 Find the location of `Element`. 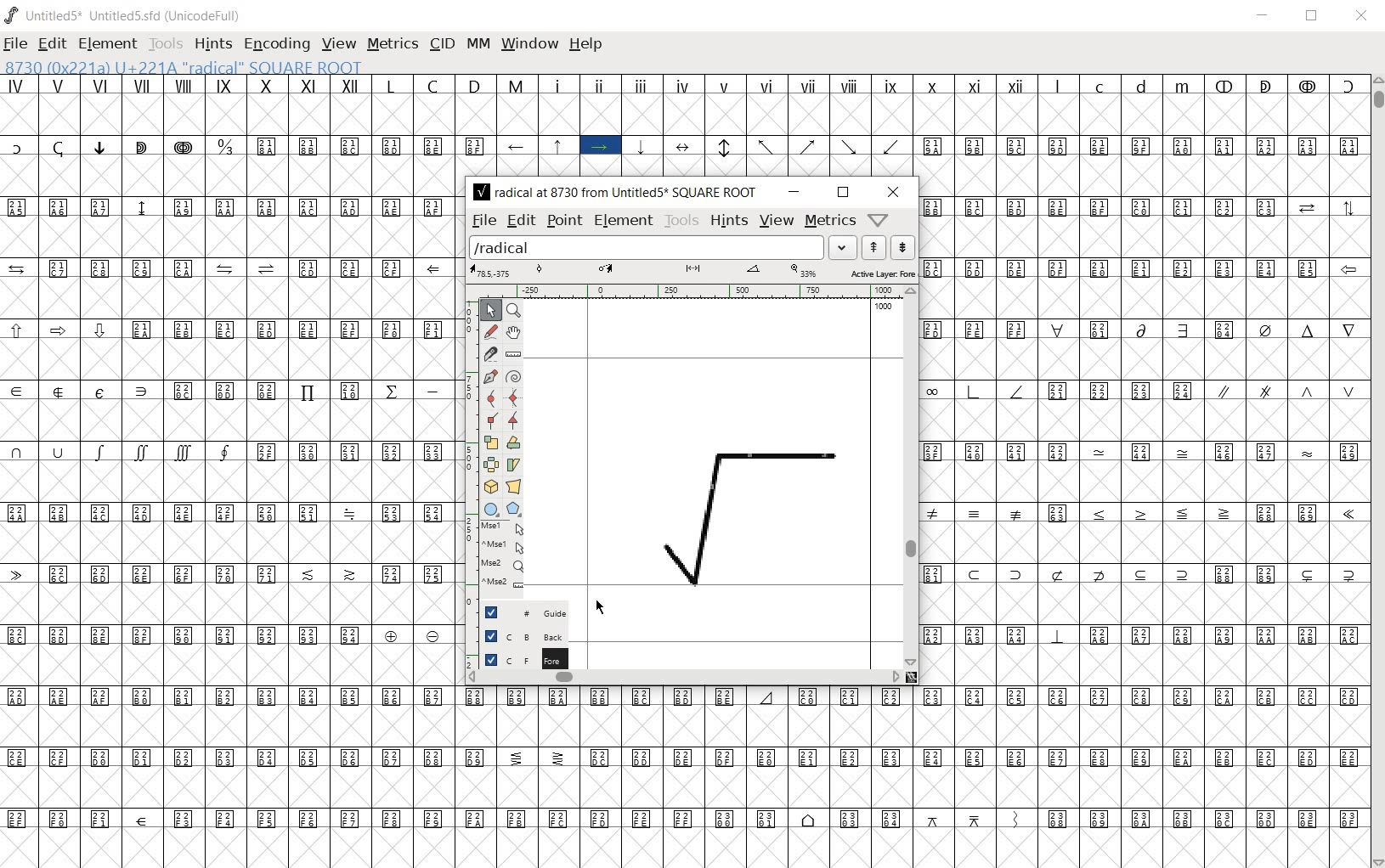

Element is located at coordinates (625, 221).